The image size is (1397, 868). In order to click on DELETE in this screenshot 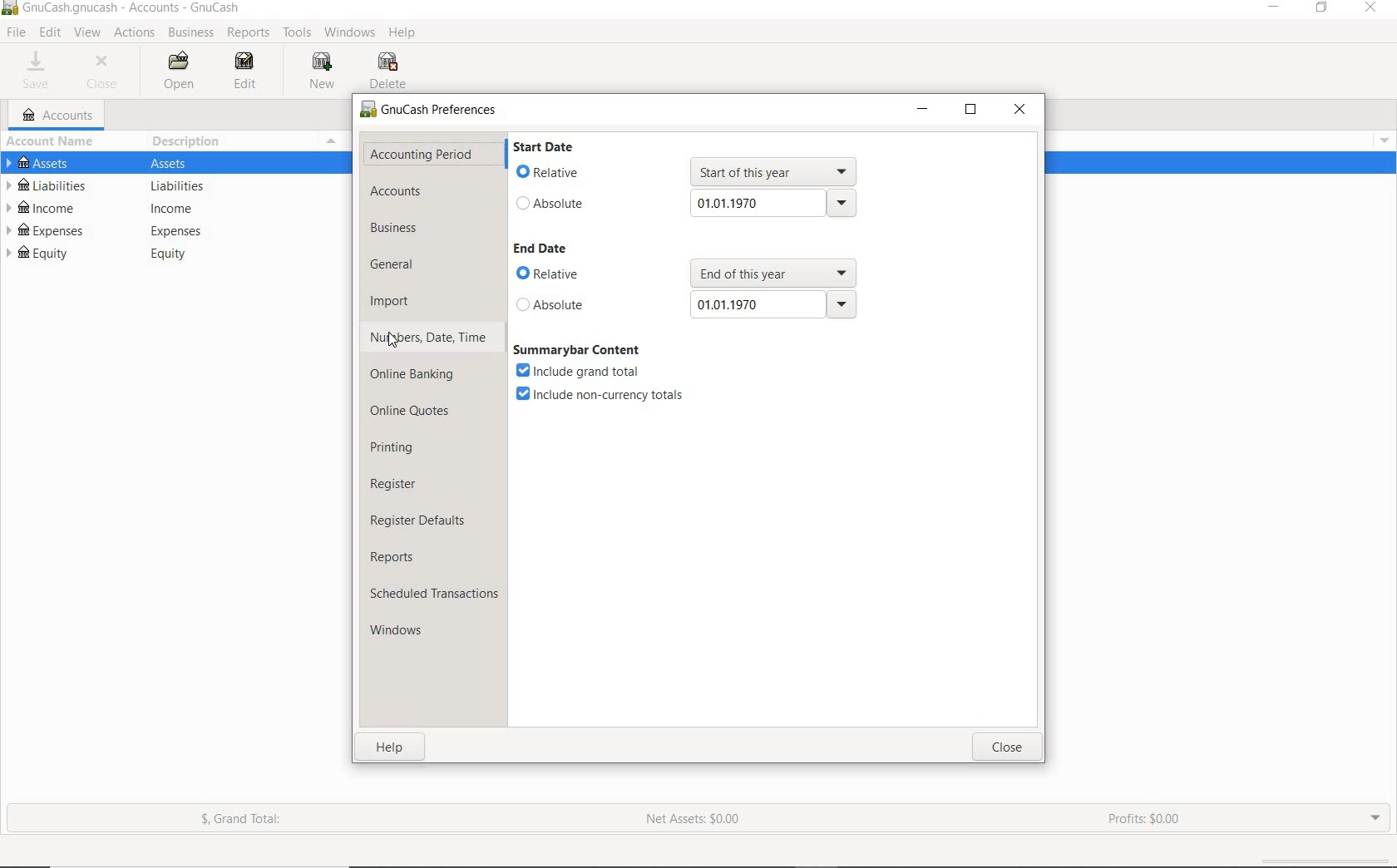, I will do `click(390, 71)`.